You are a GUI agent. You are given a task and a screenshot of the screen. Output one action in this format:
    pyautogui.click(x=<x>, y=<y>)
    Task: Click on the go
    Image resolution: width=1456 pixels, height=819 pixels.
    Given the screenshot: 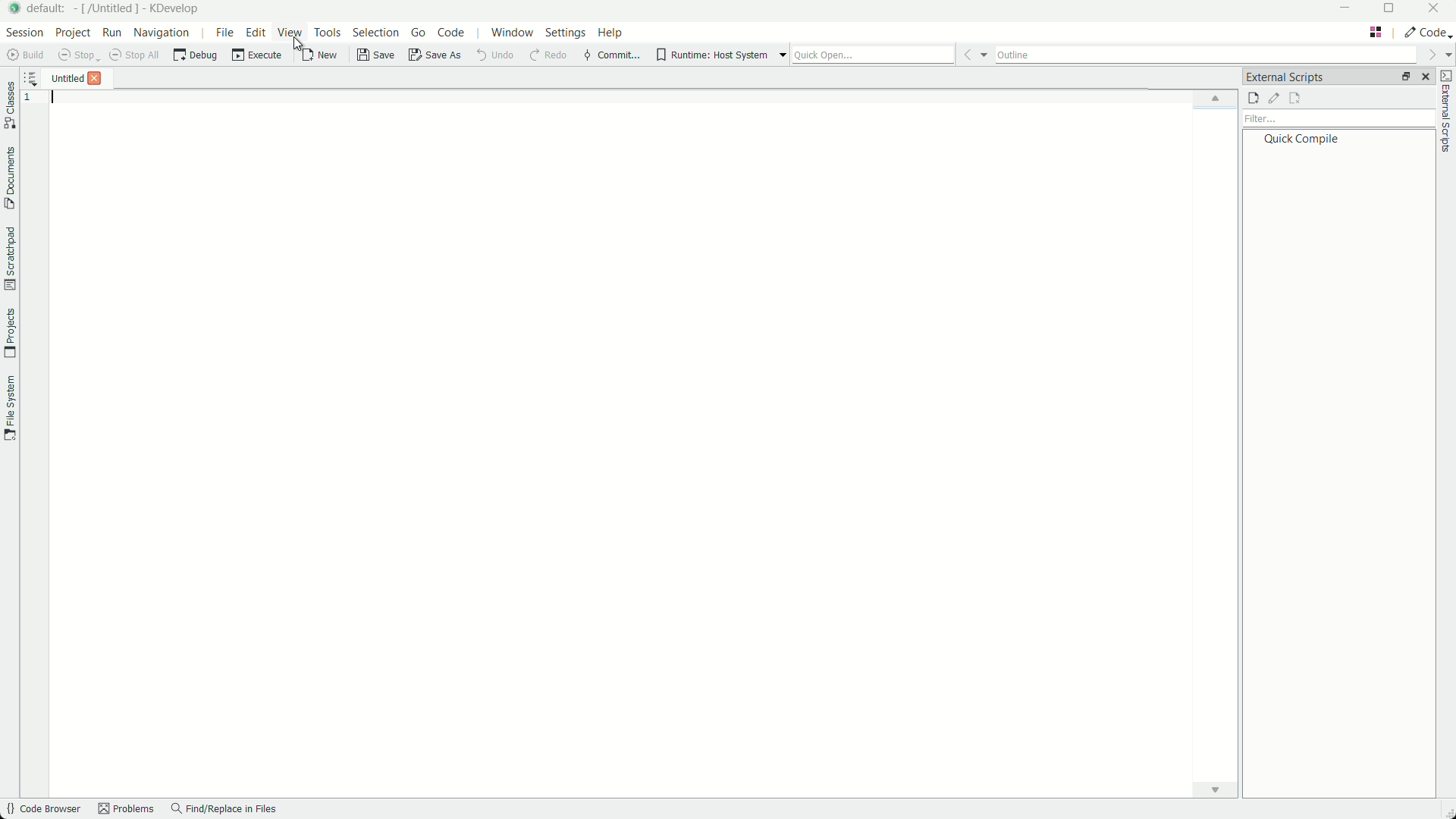 What is the action you would take?
    pyautogui.click(x=417, y=35)
    